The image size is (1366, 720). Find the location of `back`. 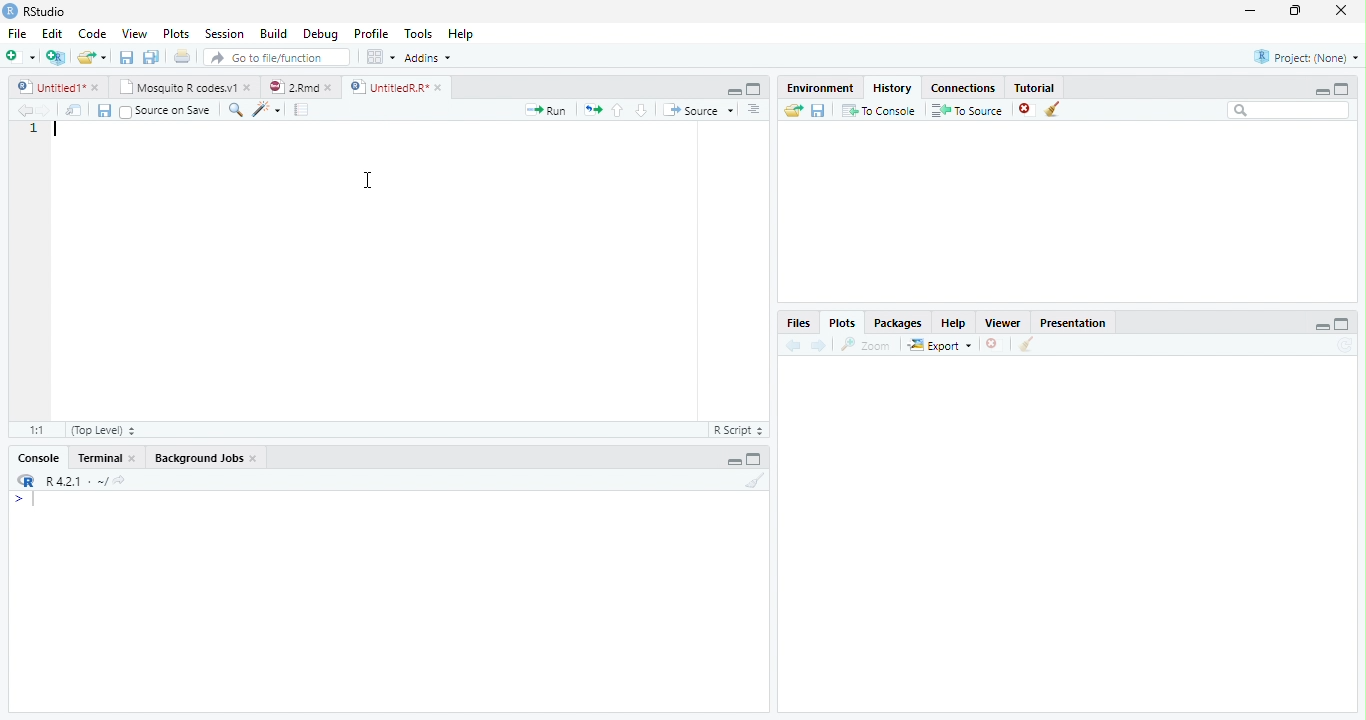

back is located at coordinates (20, 110).